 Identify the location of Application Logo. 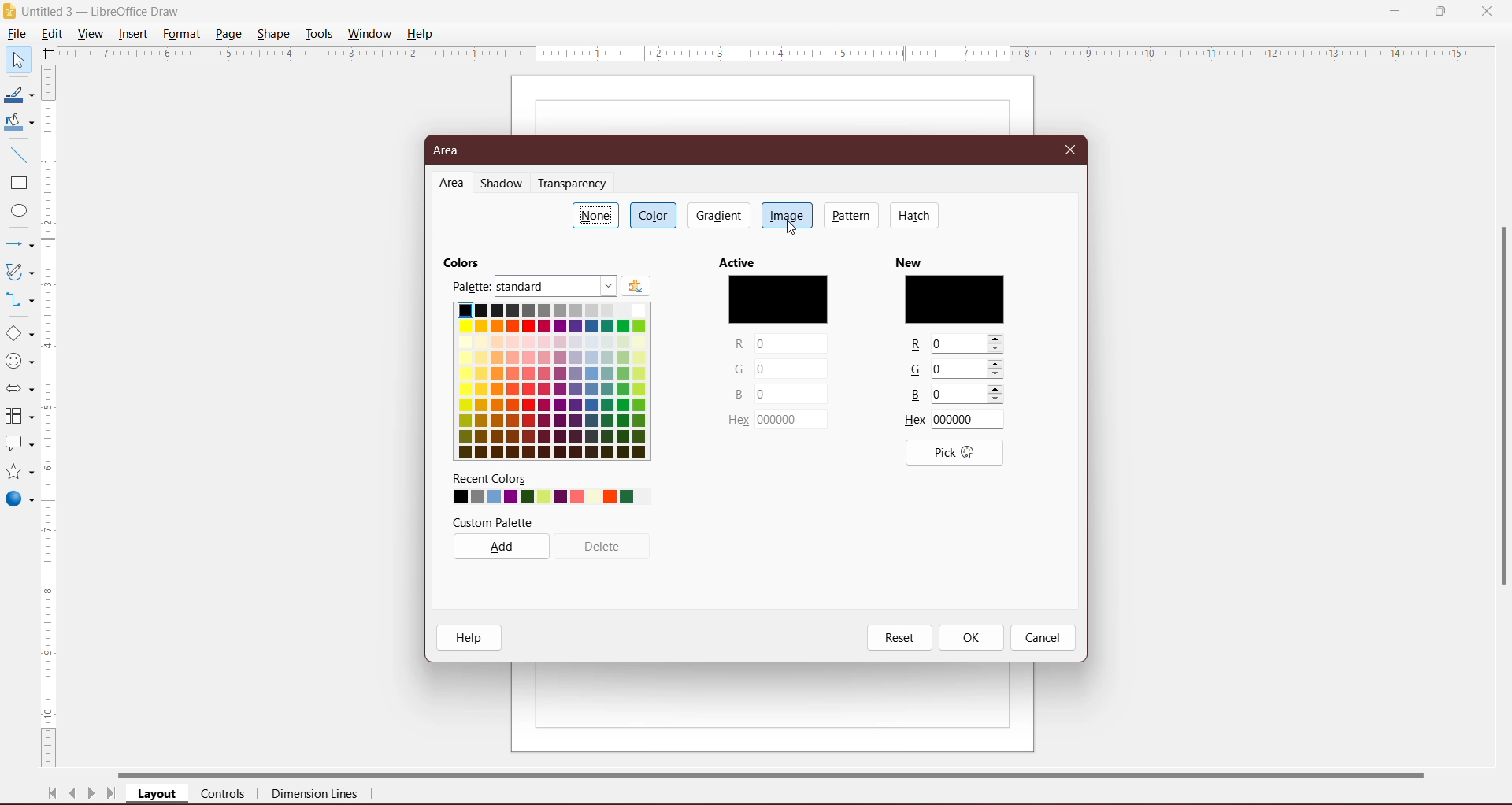
(10, 12).